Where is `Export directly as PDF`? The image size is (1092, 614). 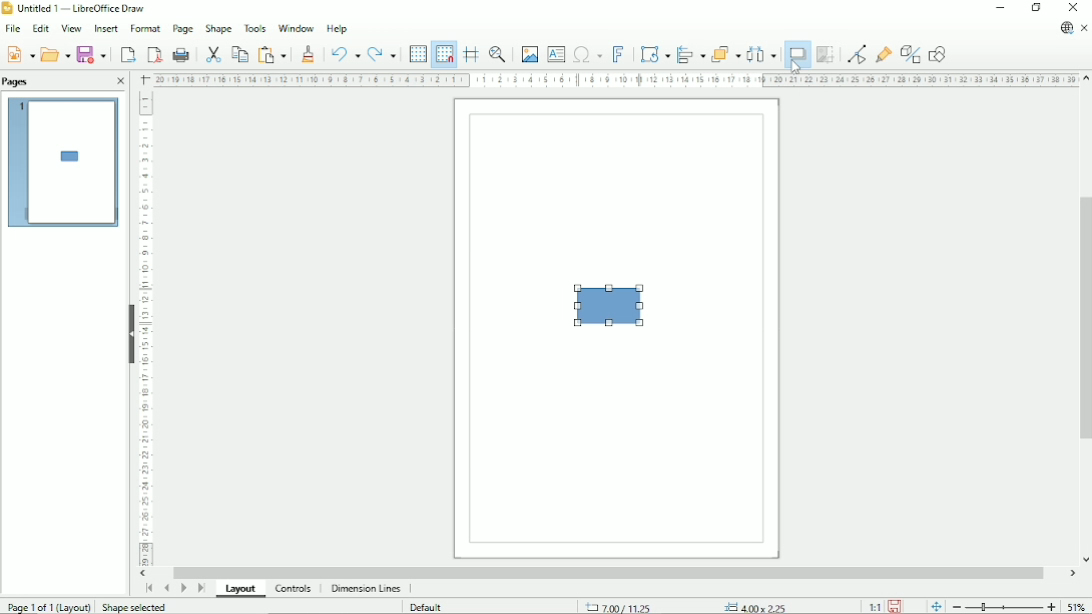
Export directly as PDF is located at coordinates (154, 54).